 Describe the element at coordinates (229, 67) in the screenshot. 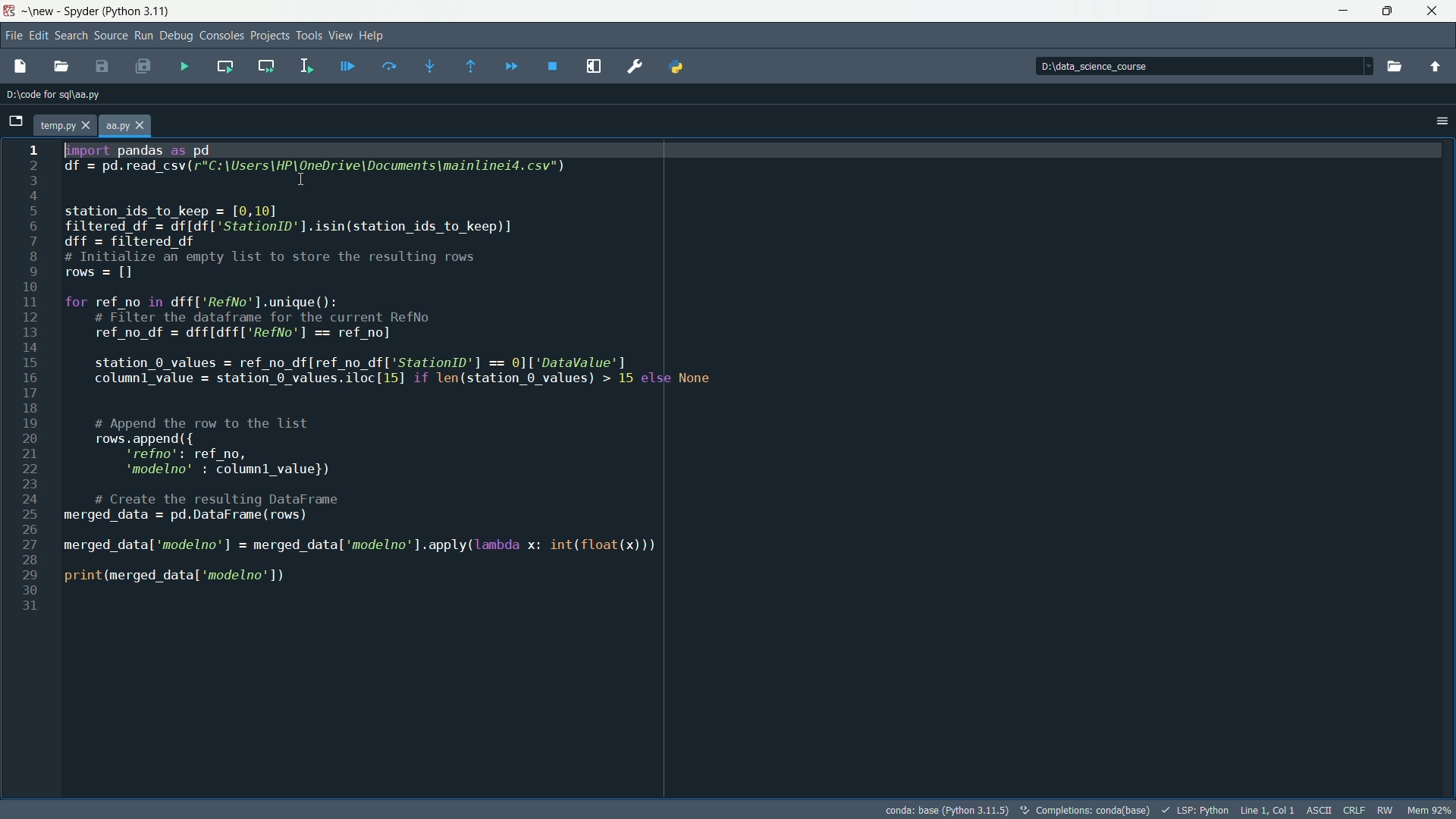

I see `run current cell` at that location.